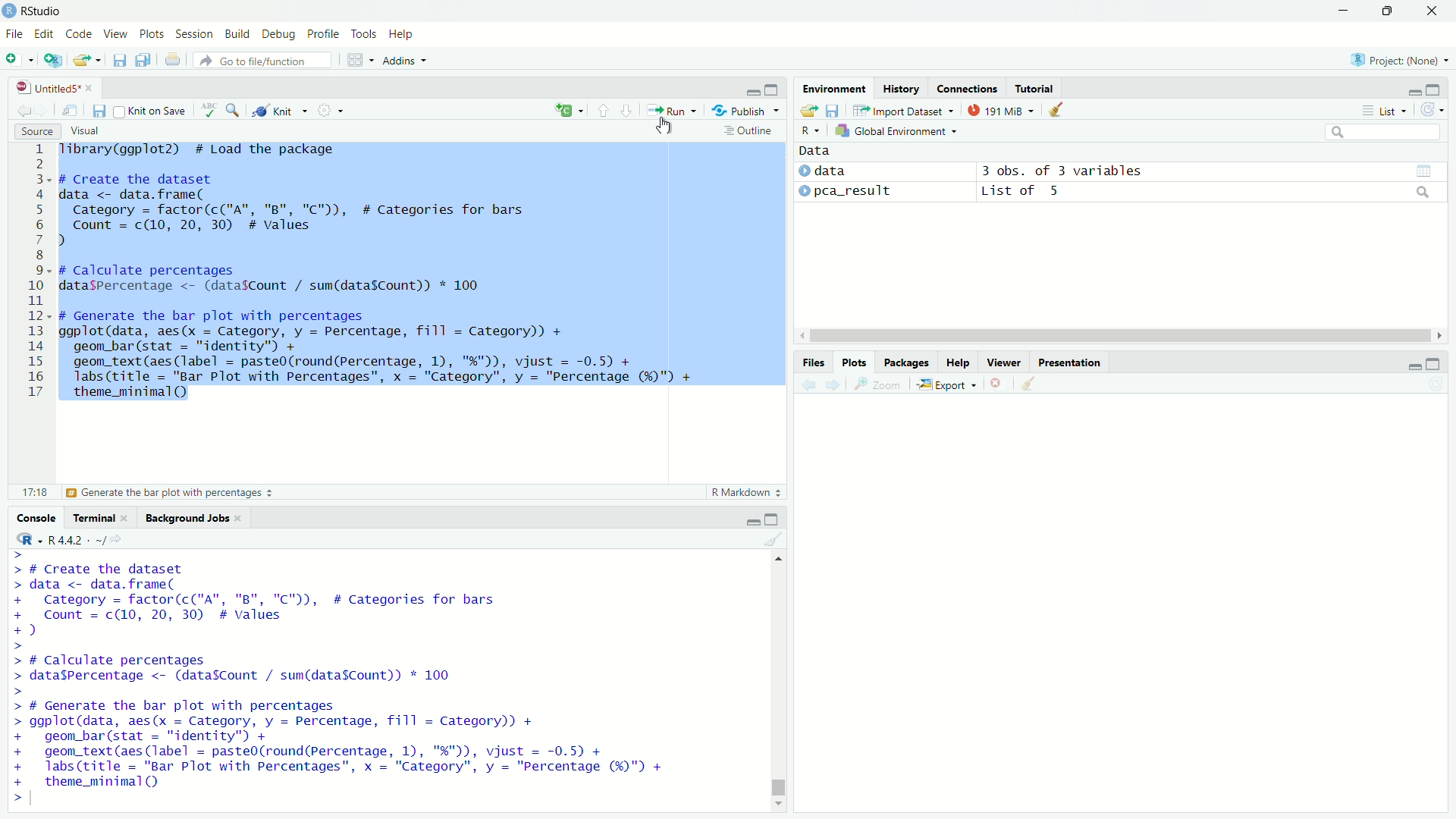 This screenshot has height=819, width=1456. I want to click on minimize, so click(752, 89).